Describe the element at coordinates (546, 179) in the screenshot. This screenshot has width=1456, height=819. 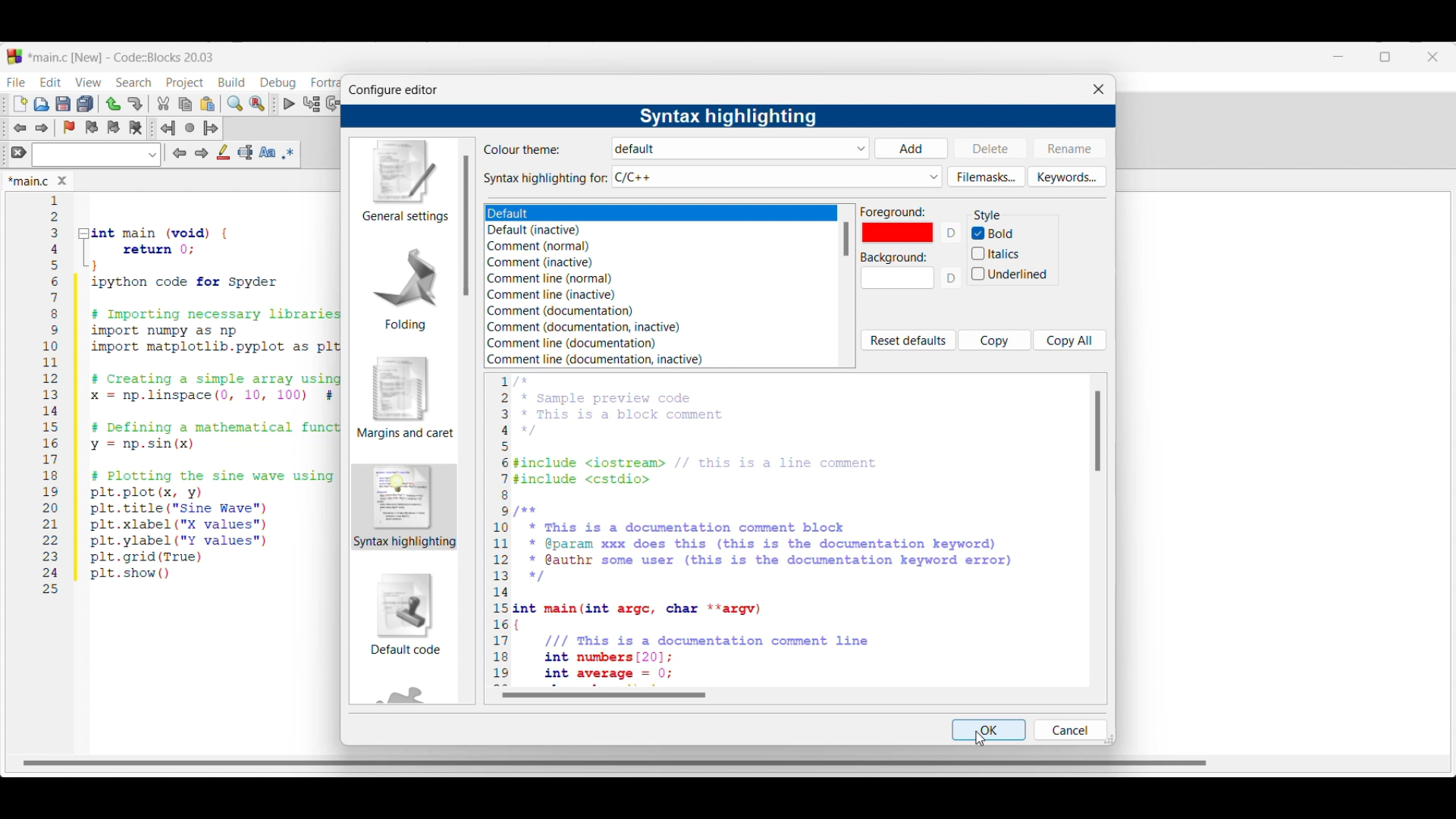
I see `Indicates syntax highlighting options` at that location.